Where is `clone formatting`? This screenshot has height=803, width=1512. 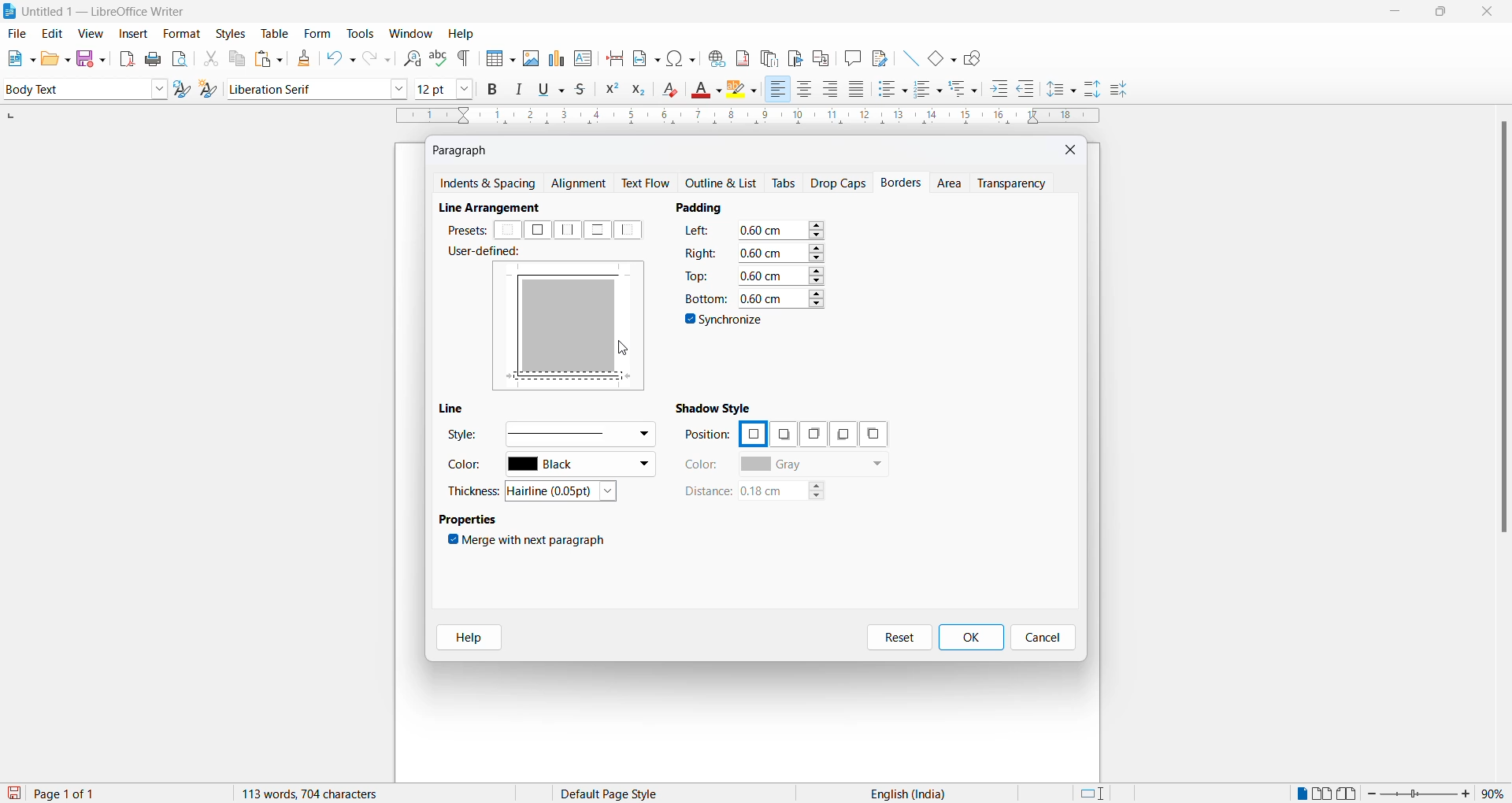
clone formatting is located at coordinates (301, 58).